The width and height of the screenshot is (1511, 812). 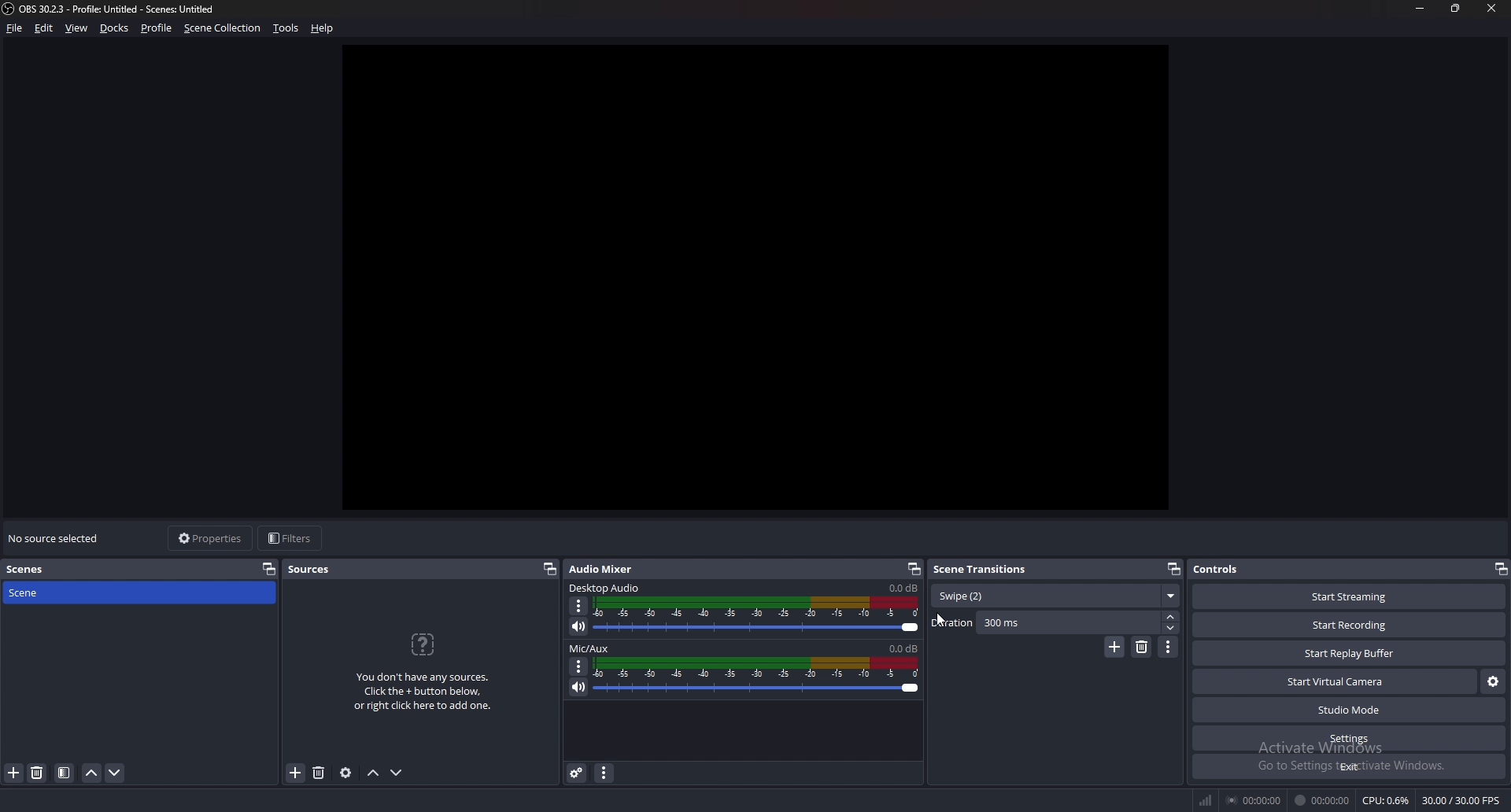 I want to click on mute, so click(x=580, y=628).